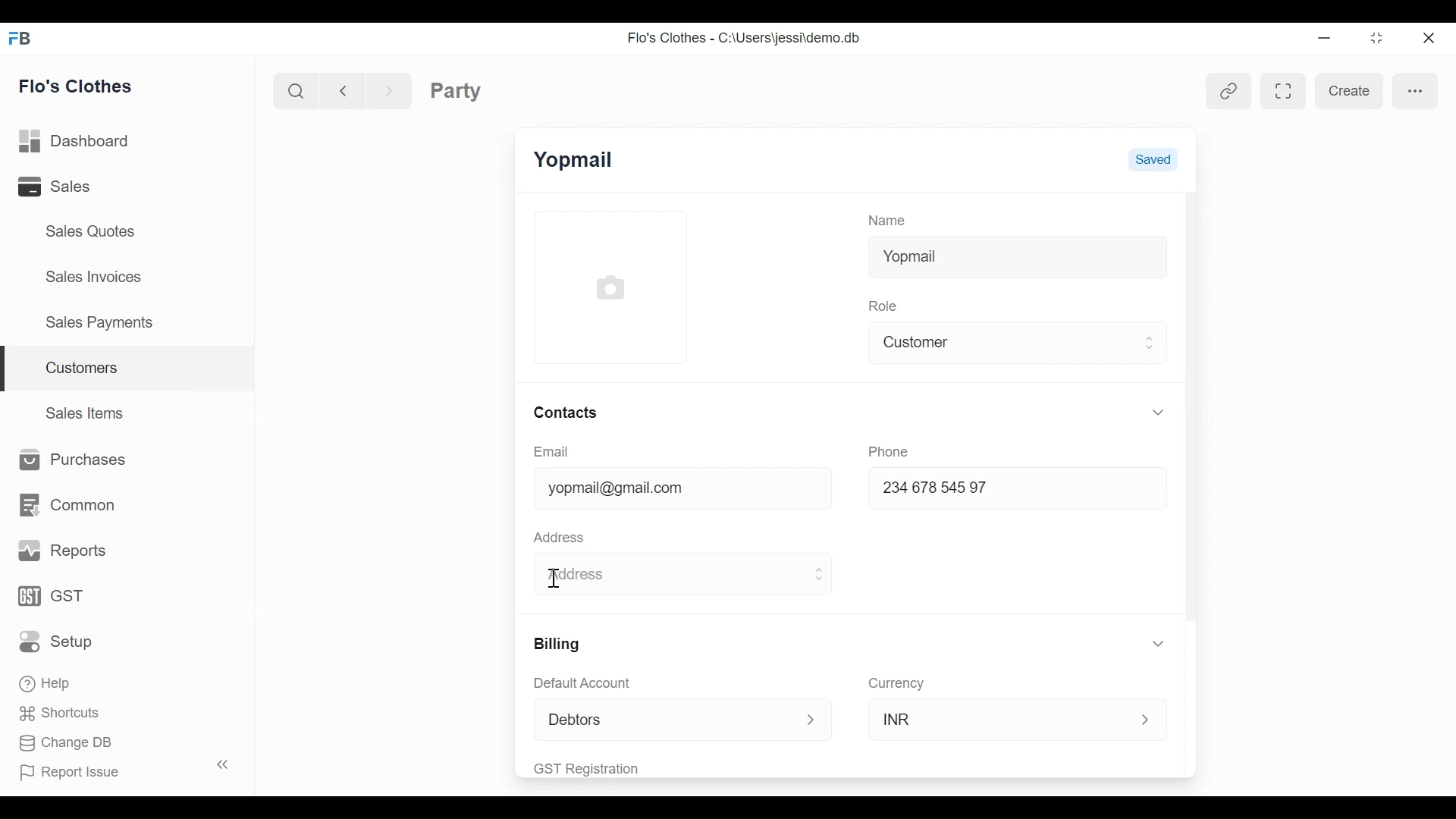  I want to click on Sales, so click(75, 186).